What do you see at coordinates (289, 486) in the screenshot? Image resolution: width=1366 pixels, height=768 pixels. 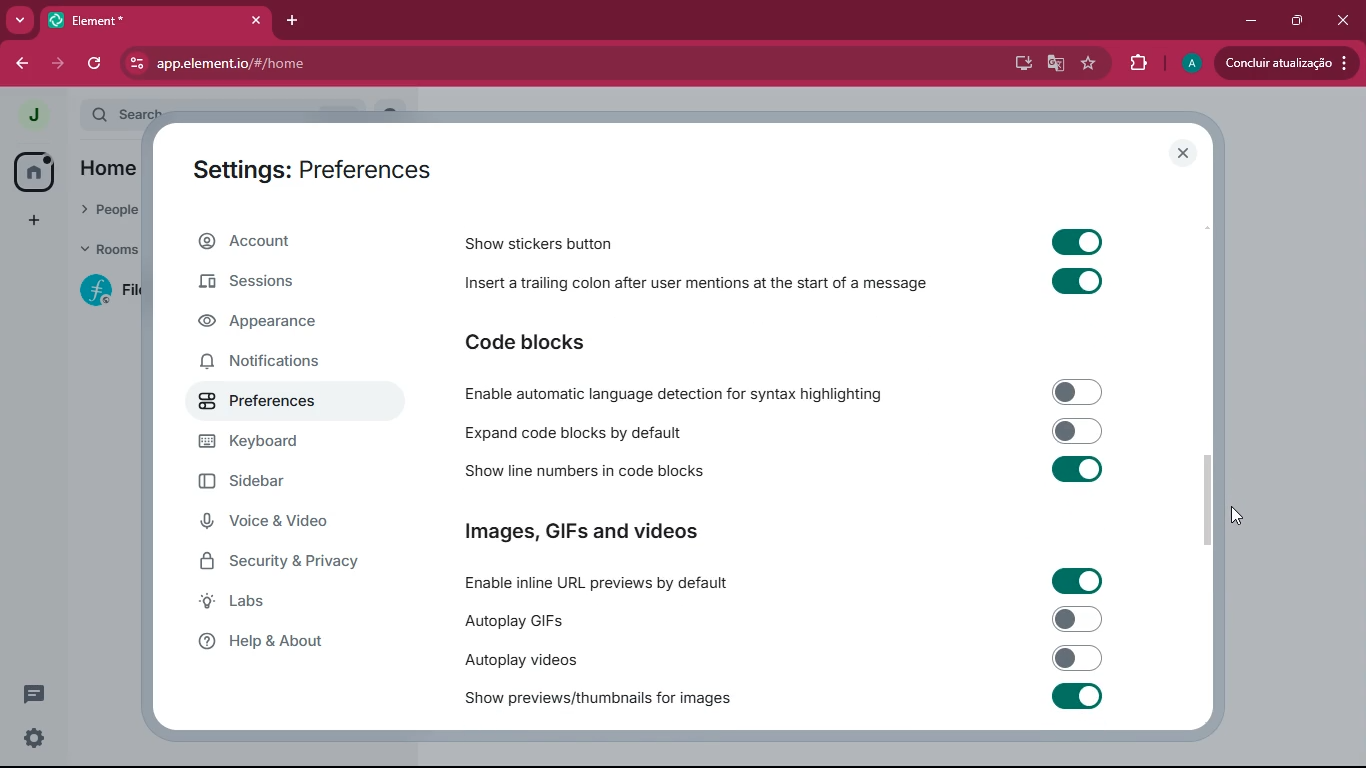 I see `sidebar` at bounding box center [289, 486].